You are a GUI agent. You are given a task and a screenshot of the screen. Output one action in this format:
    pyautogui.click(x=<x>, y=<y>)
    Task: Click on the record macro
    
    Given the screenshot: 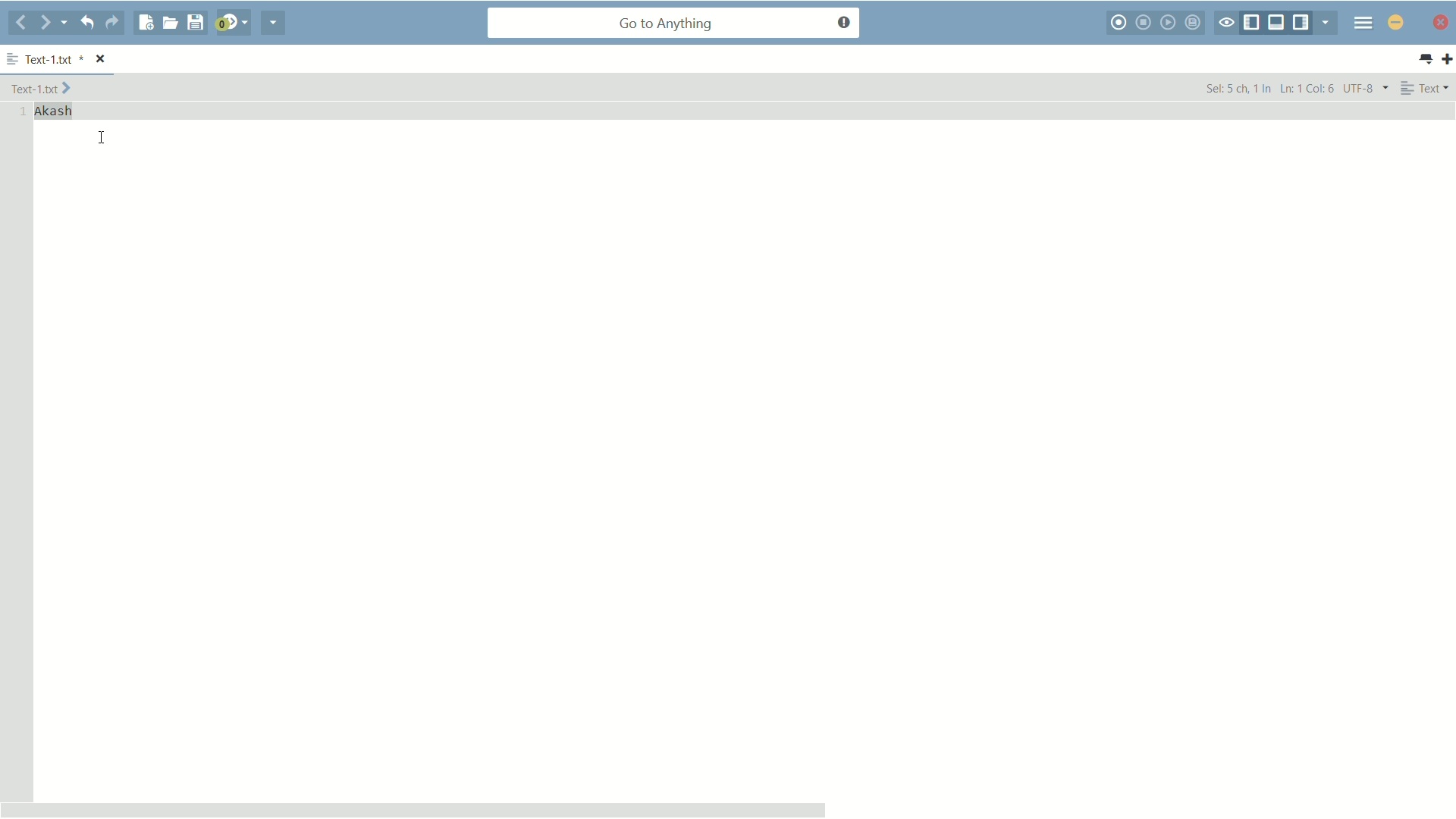 What is the action you would take?
    pyautogui.click(x=1120, y=23)
    